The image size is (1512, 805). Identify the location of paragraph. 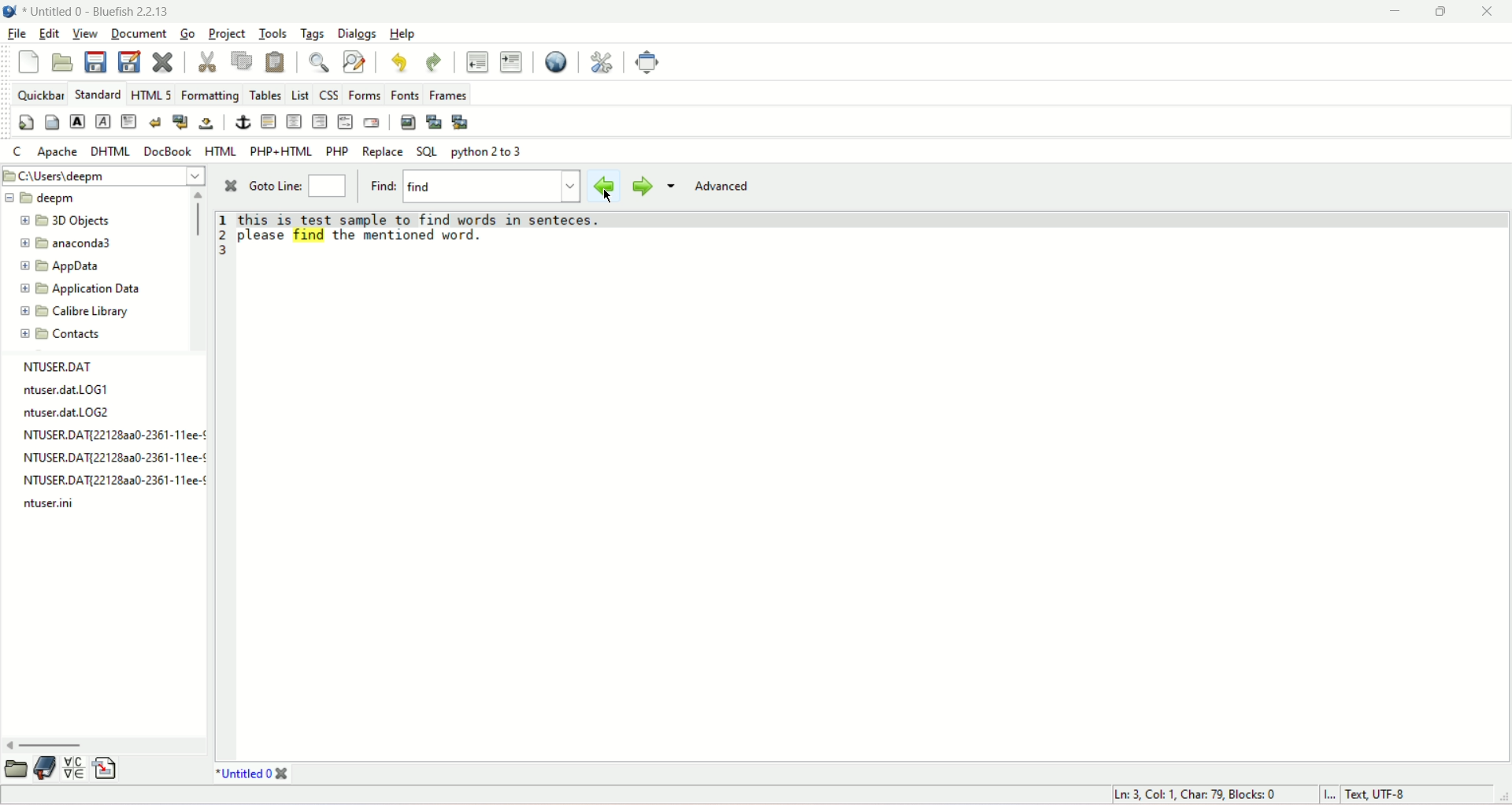
(130, 122).